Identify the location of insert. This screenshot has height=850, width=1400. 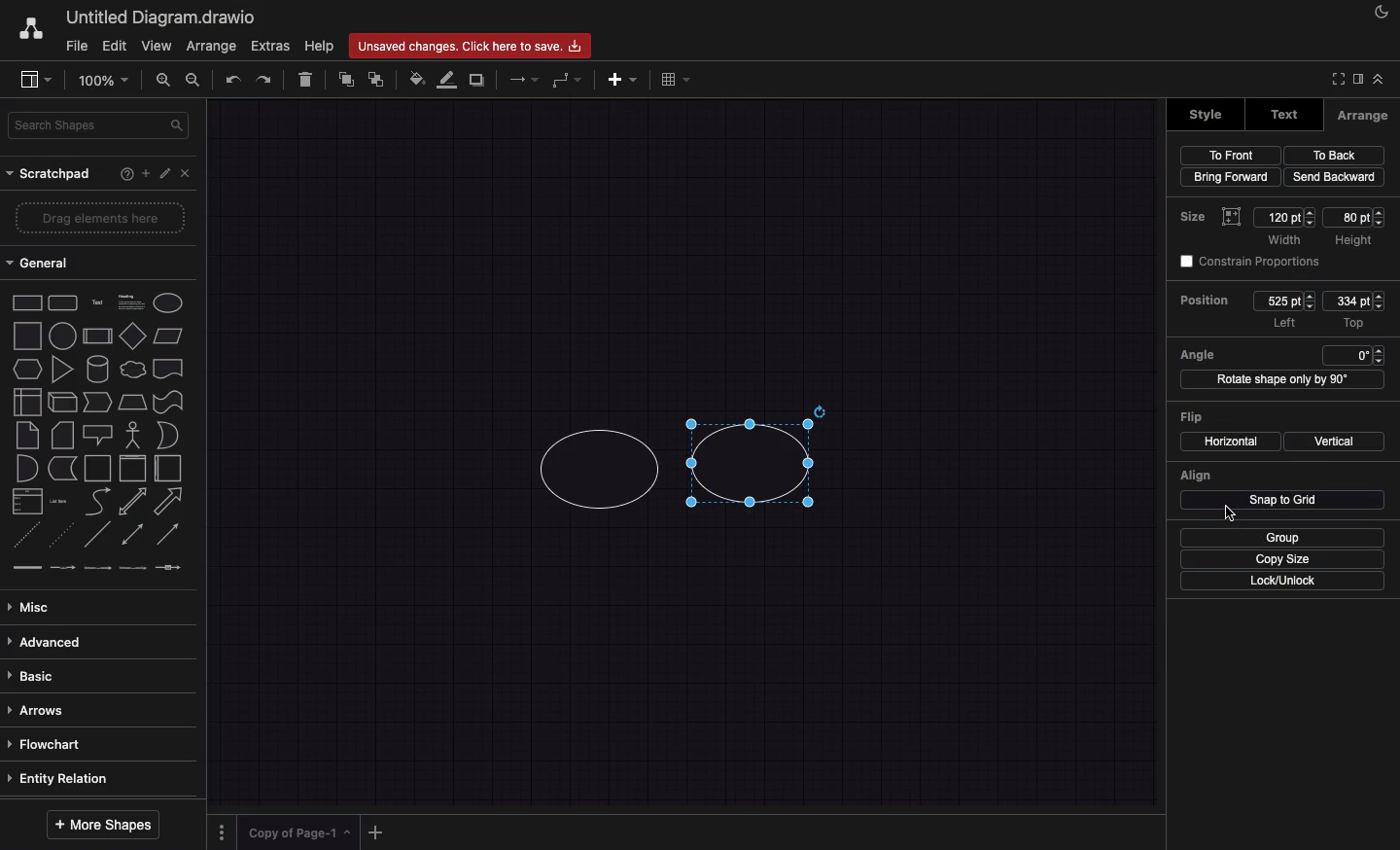
(622, 79).